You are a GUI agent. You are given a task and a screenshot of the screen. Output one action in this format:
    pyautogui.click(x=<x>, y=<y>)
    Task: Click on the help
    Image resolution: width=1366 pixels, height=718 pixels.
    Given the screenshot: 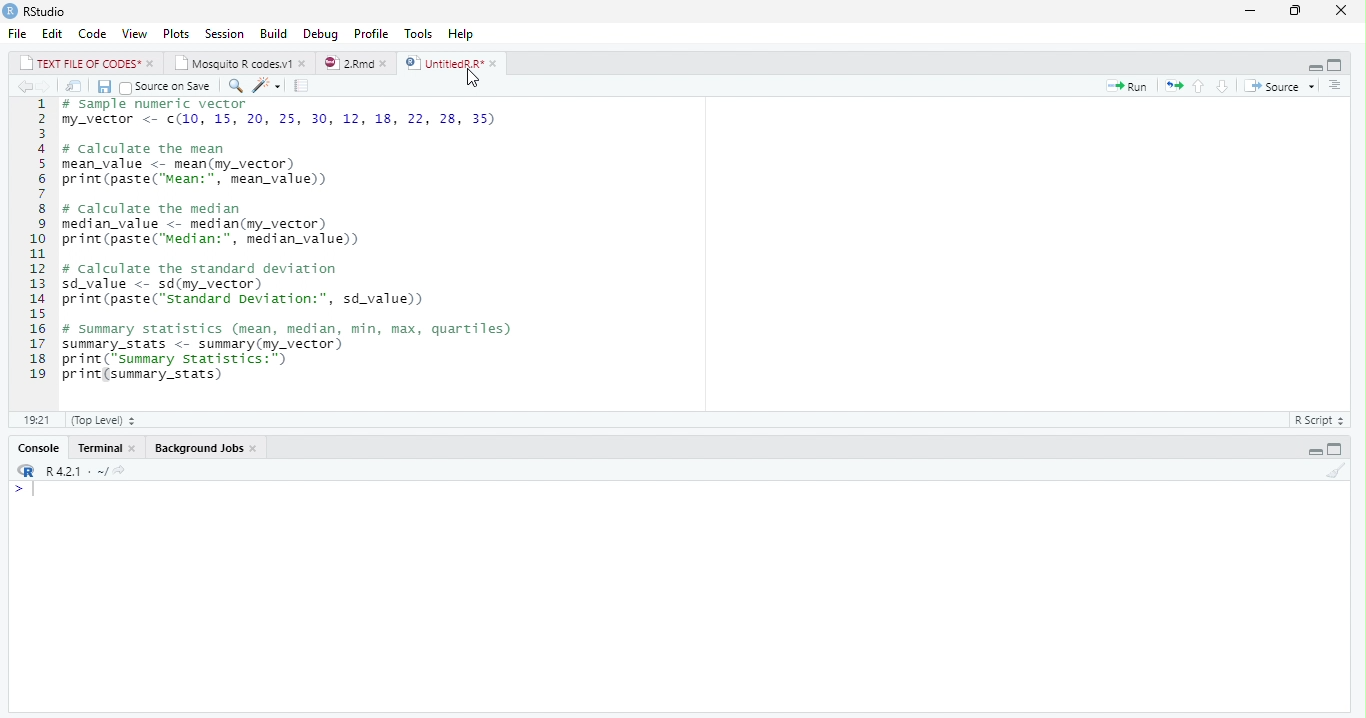 What is the action you would take?
    pyautogui.click(x=461, y=34)
    